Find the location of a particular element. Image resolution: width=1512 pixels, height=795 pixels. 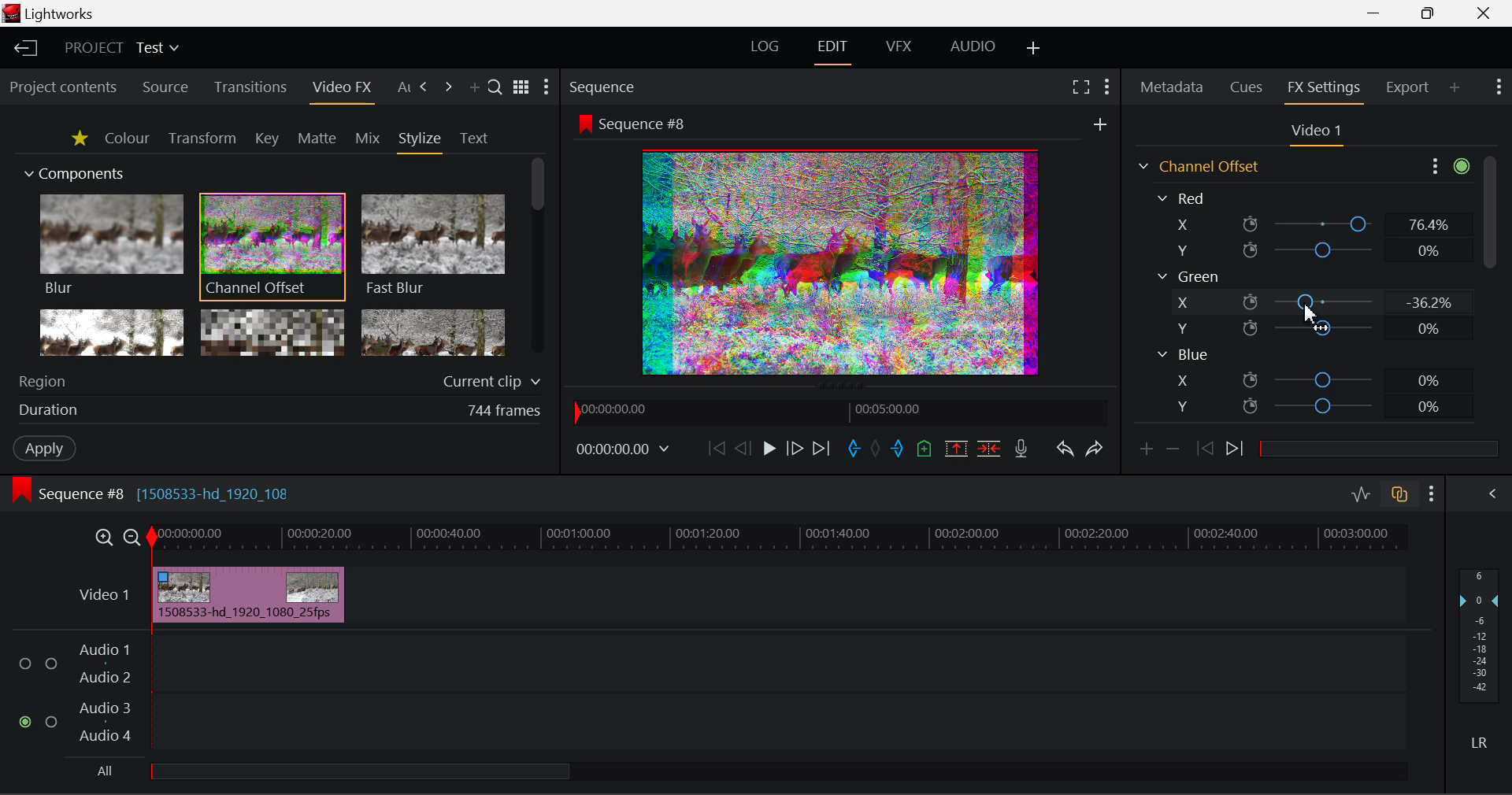

Next Tab is located at coordinates (425, 87).